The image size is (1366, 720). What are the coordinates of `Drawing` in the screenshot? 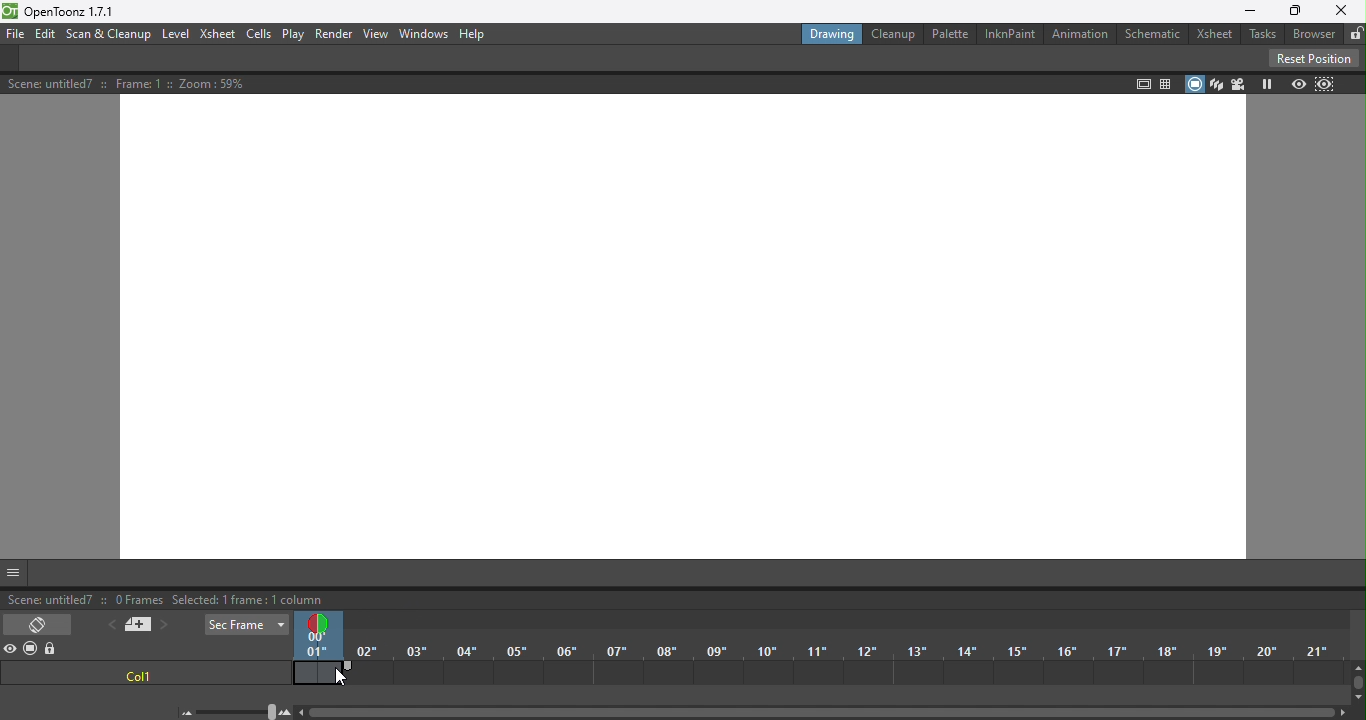 It's located at (835, 34).